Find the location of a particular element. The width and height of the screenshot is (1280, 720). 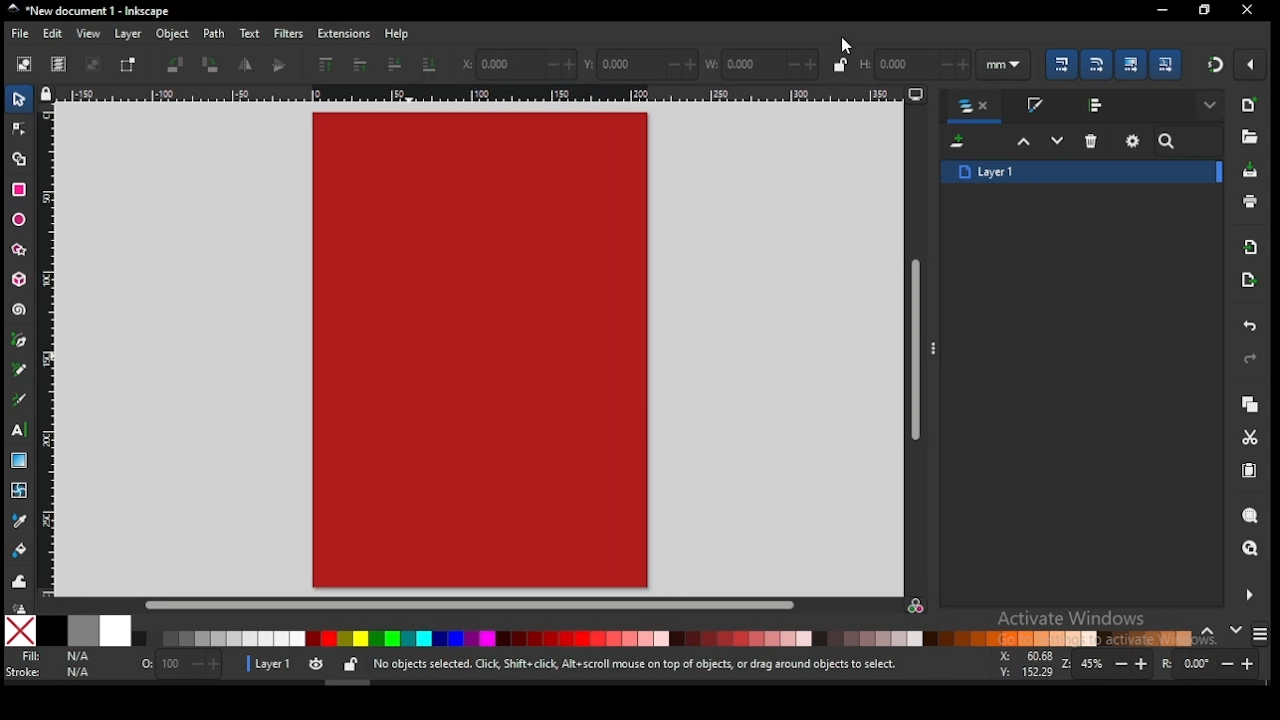

save is located at coordinates (1250, 169).